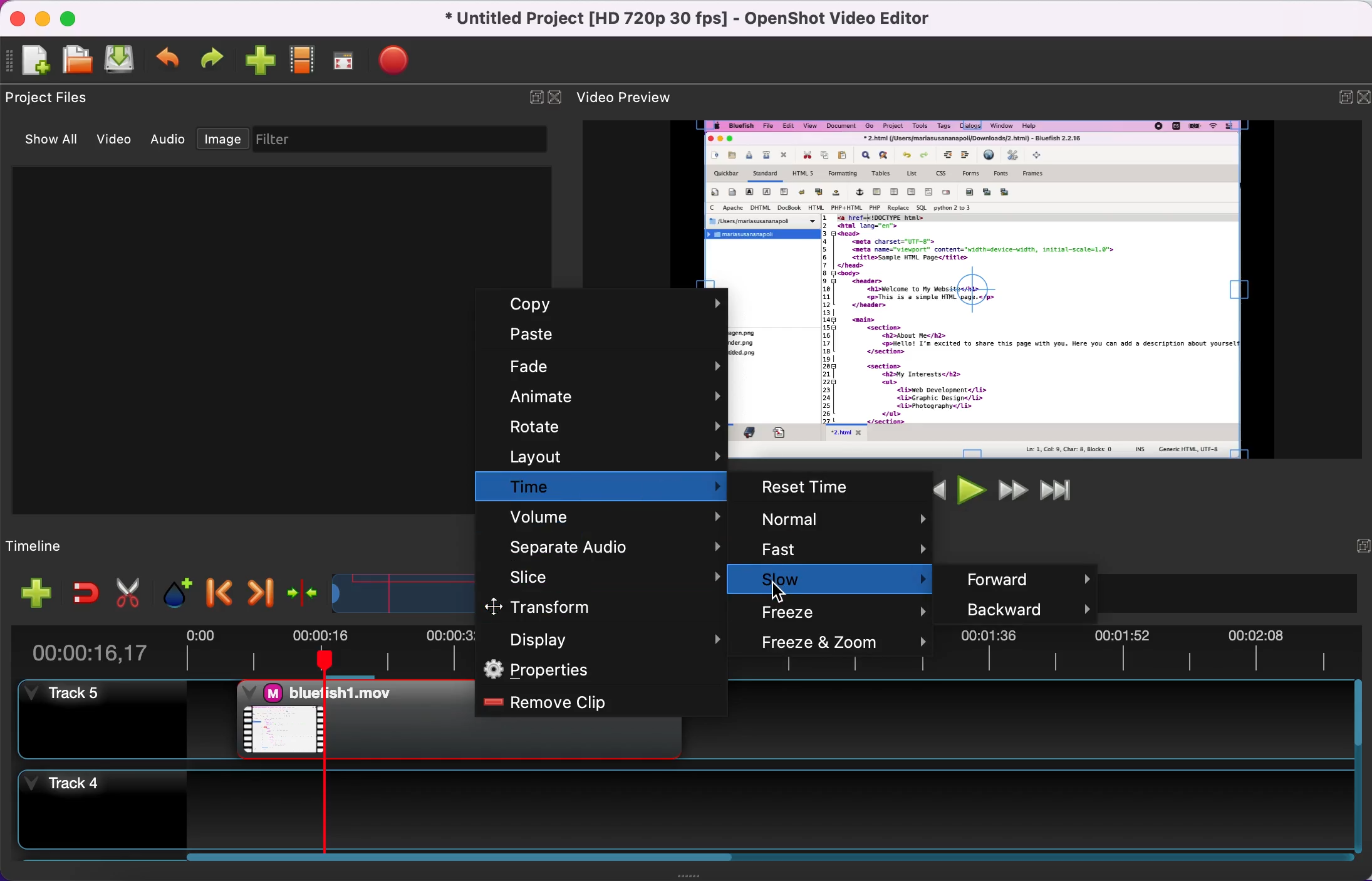  Describe the element at coordinates (261, 62) in the screenshot. I see `import files` at that location.